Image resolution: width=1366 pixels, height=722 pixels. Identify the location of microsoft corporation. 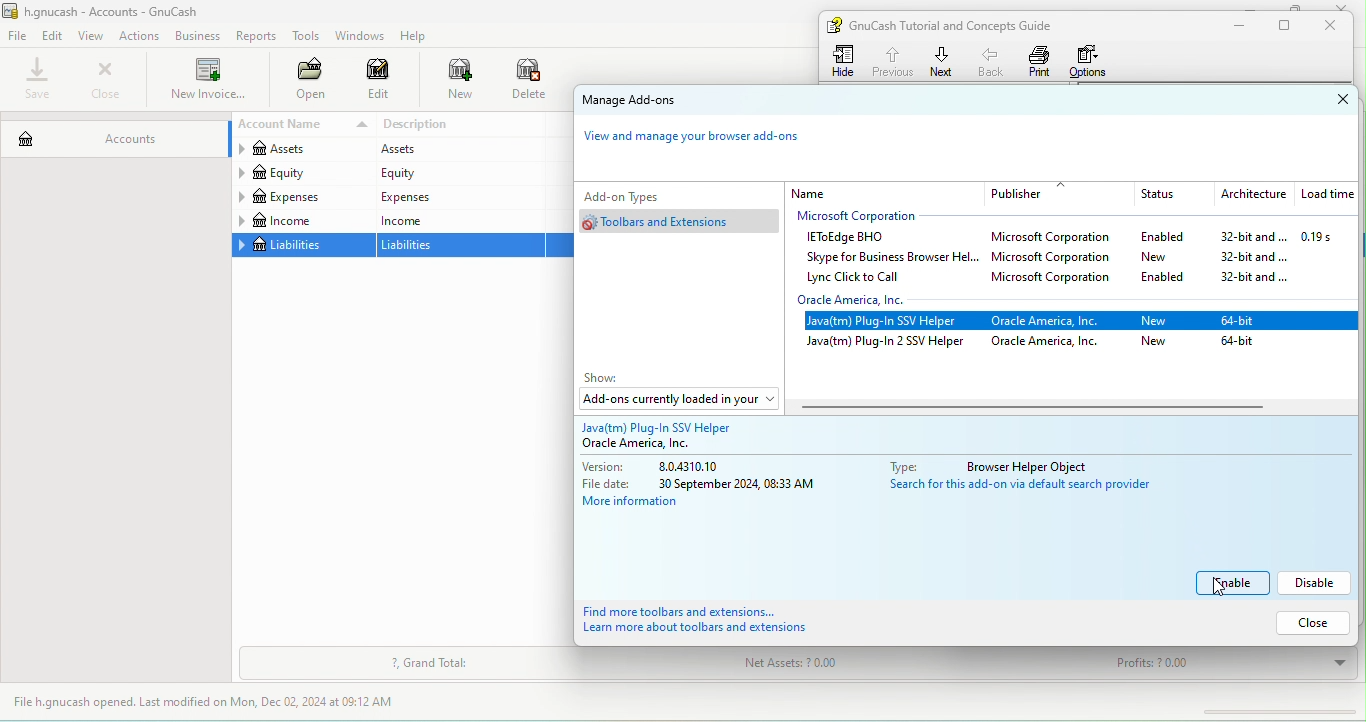
(1056, 239).